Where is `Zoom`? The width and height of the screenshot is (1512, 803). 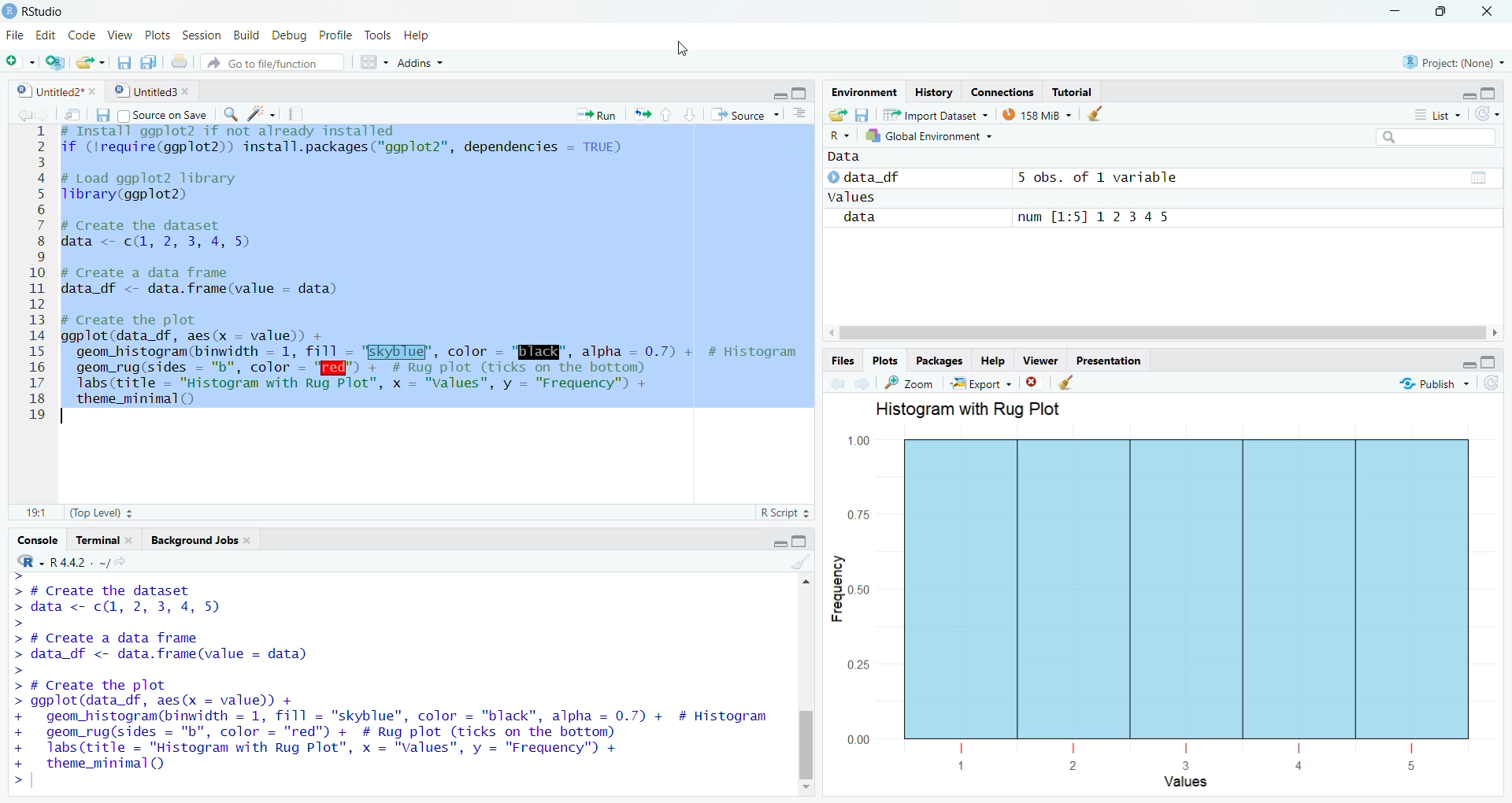 Zoom is located at coordinates (914, 383).